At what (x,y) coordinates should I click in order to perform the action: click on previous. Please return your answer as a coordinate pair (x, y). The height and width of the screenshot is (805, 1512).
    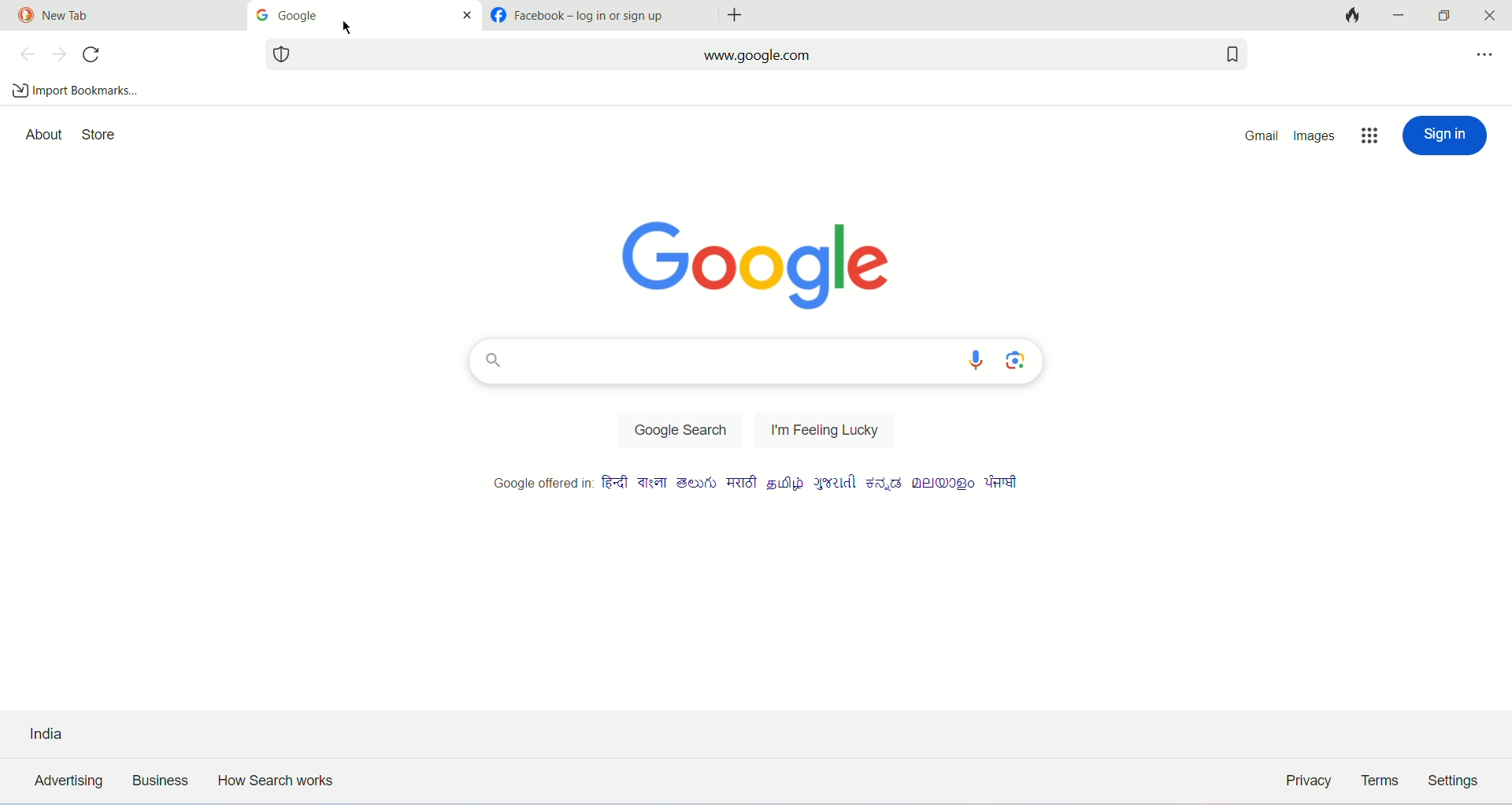
    Looking at the image, I should click on (25, 54).